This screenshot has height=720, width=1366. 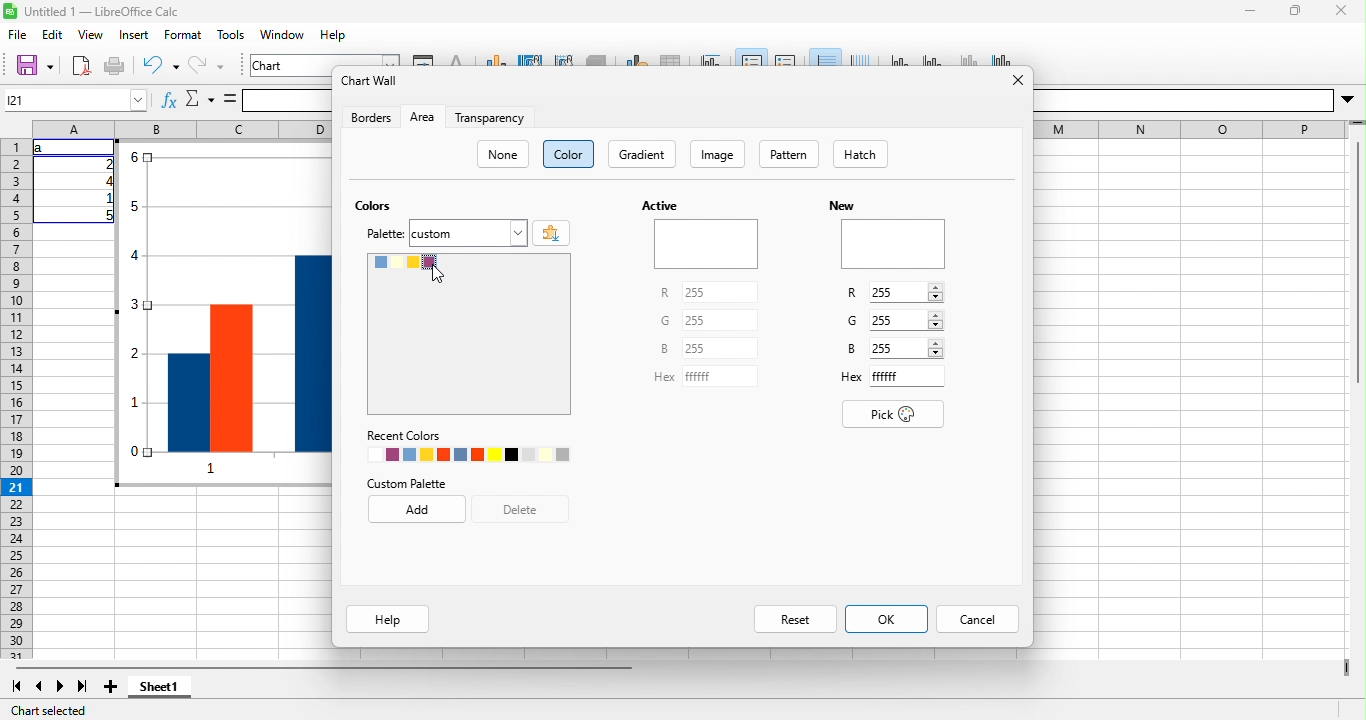 What do you see at coordinates (287, 101) in the screenshot?
I see `formula bar` at bounding box center [287, 101].